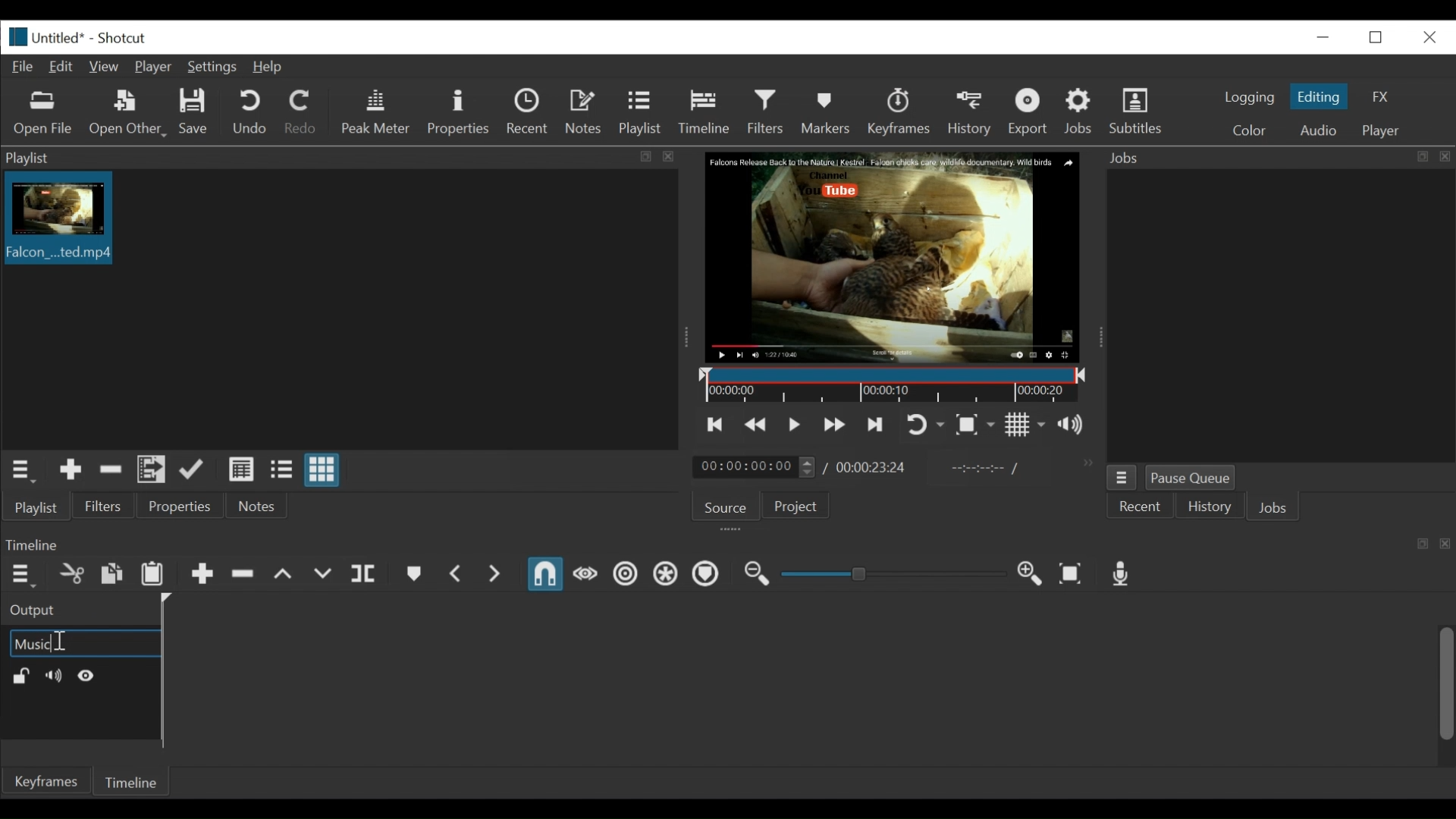  What do you see at coordinates (324, 573) in the screenshot?
I see `Overwrite` at bounding box center [324, 573].